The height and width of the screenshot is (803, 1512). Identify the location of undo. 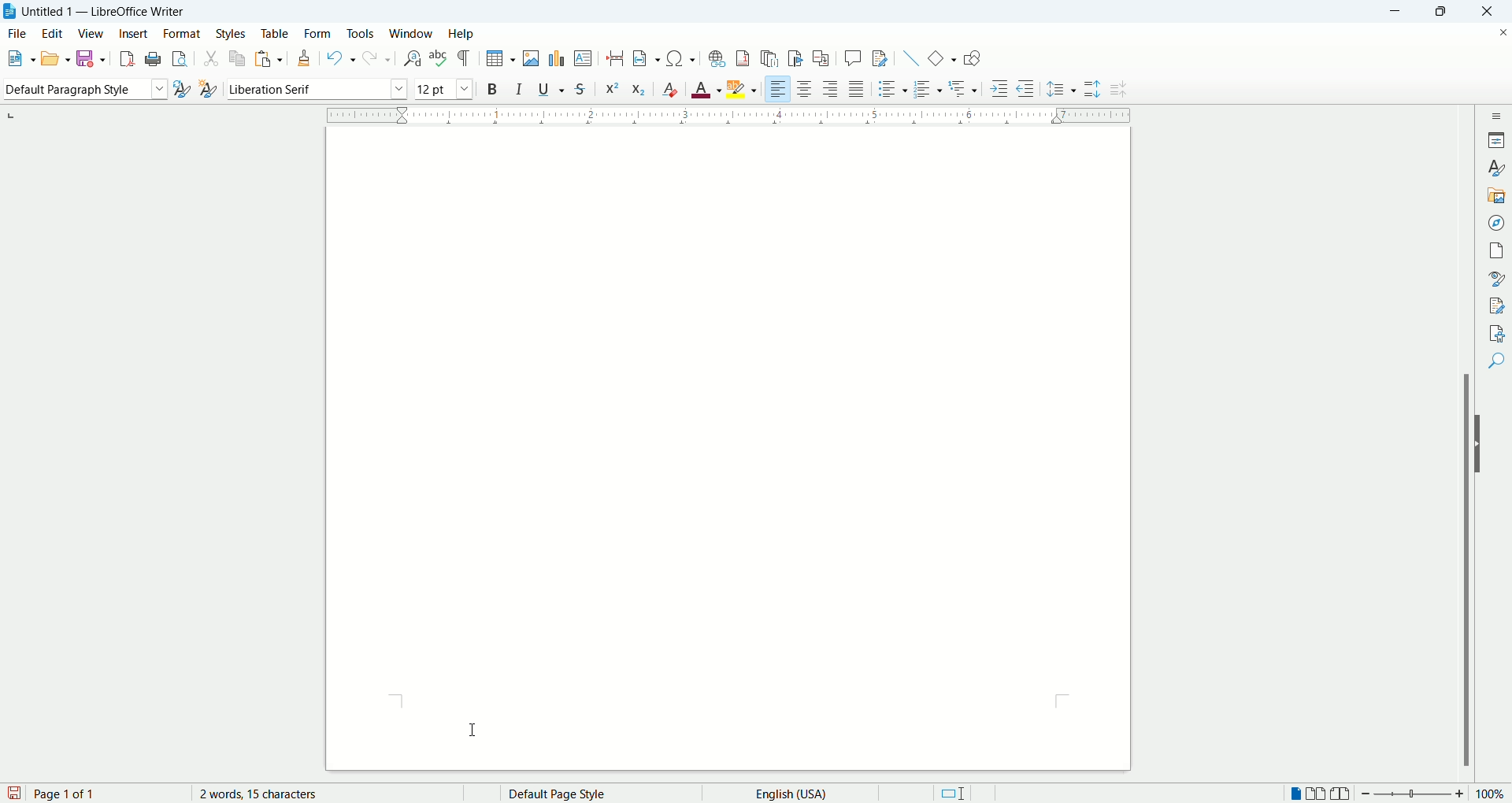
(341, 58).